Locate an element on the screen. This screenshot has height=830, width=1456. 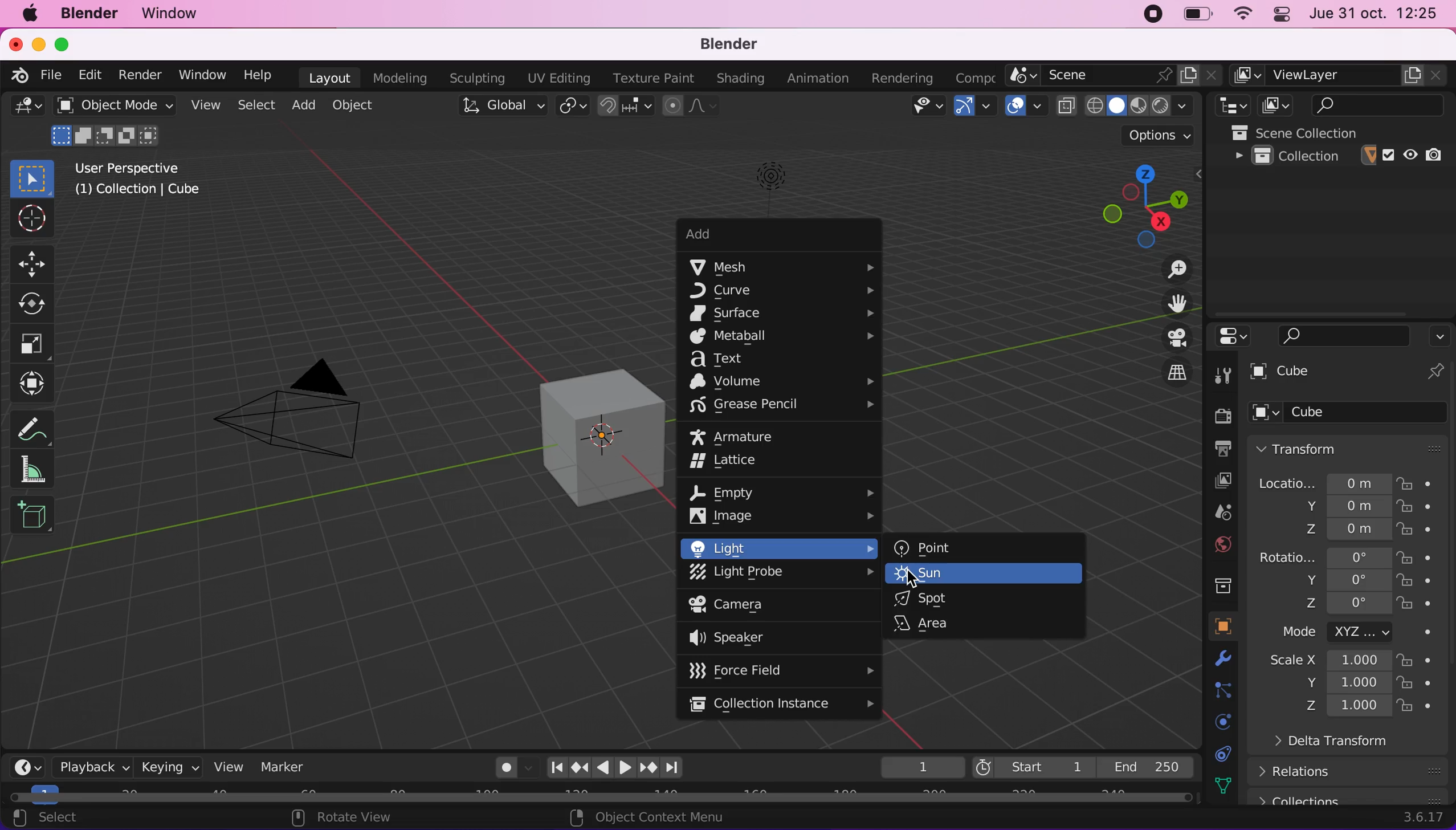
select is located at coordinates (258, 105).